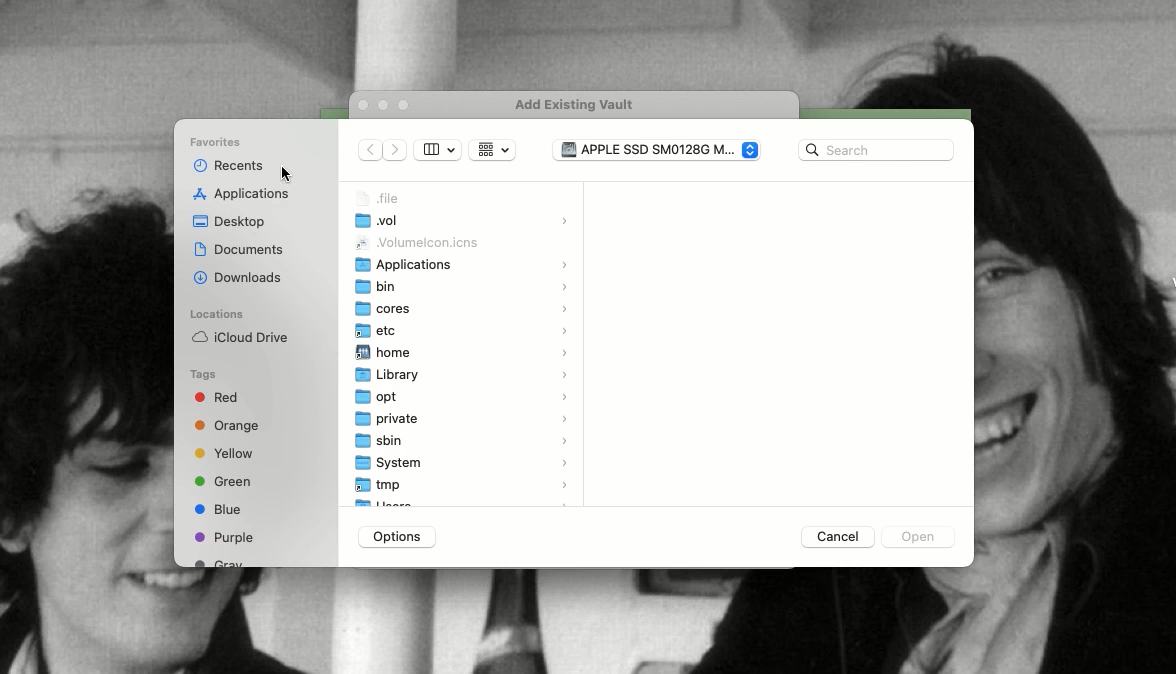  I want to click on sbin, so click(465, 440).